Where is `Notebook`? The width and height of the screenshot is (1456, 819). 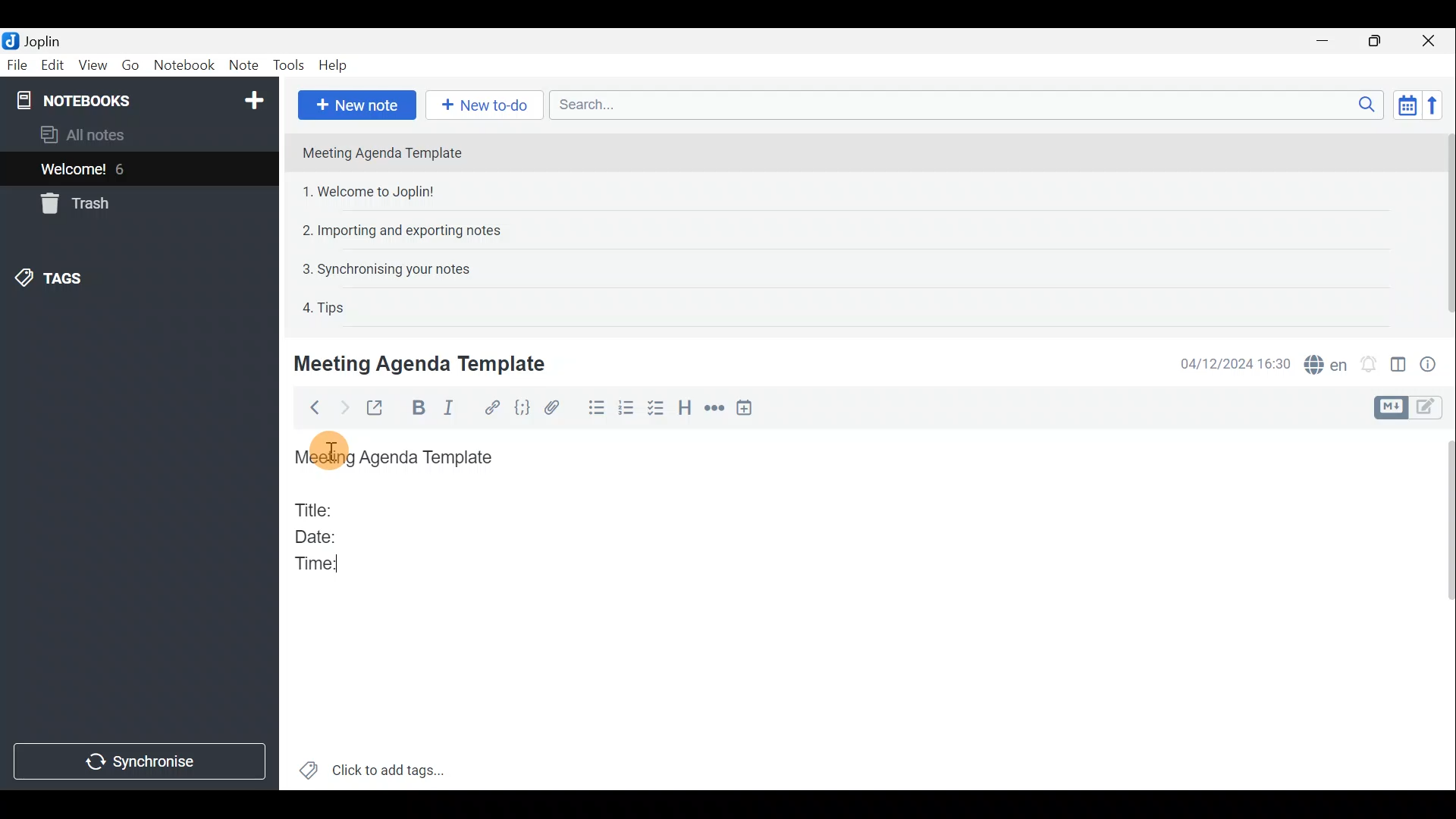 Notebook is located at coordinates (184, 64).